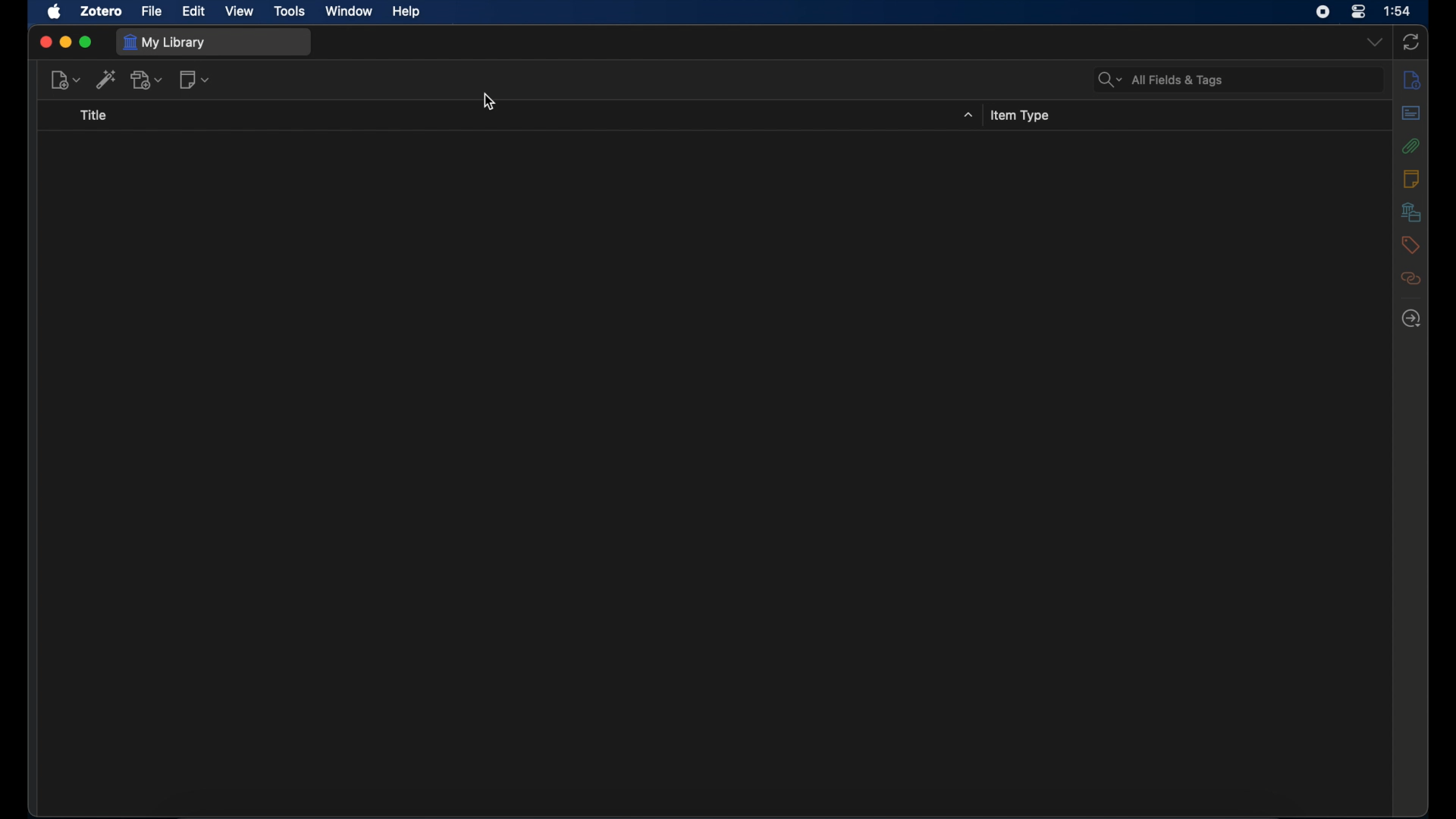 Image resolution: width=1456 pixels, height=819 pixels. I want to click on tools, so click(291, 11).